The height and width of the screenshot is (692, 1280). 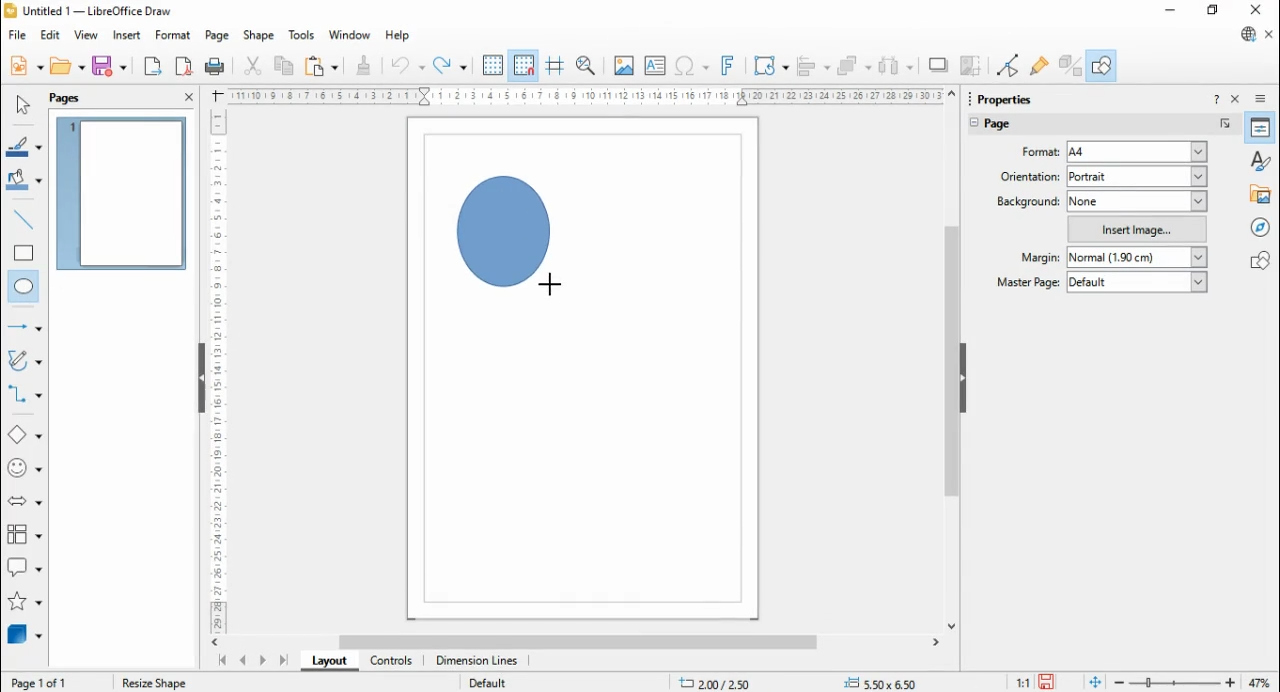 What do you see at coordinates (1095, 682) in the screenshot?
I see `fir page to current window` at bounding box center [1095, 682].